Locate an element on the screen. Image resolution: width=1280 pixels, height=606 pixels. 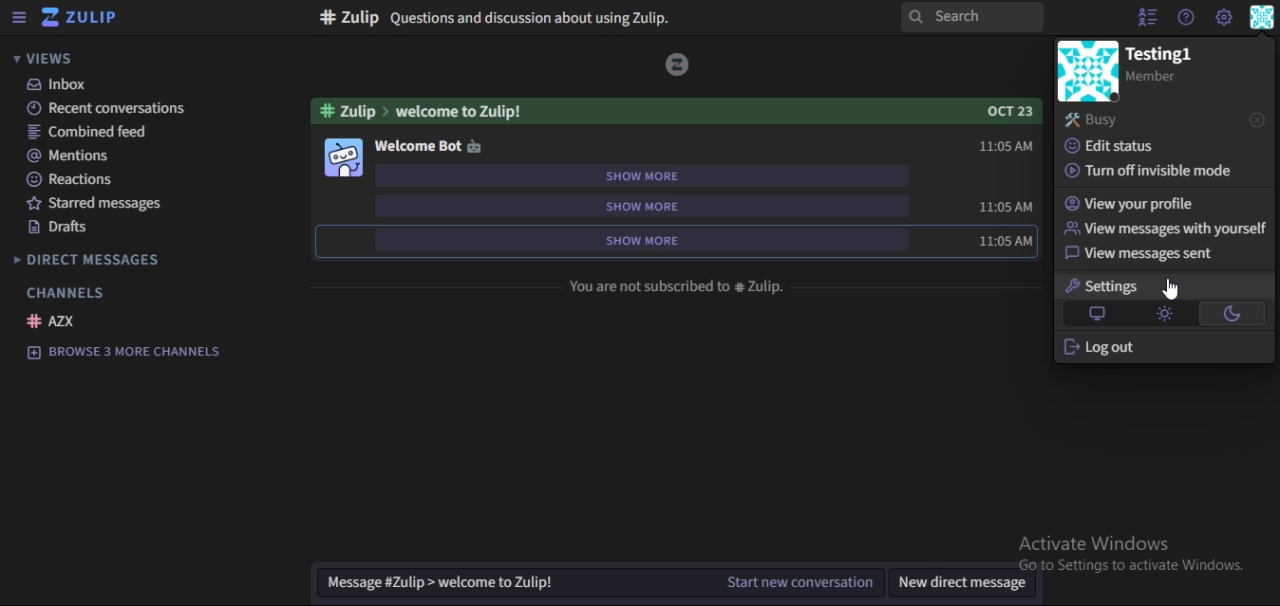
settings is located at coordinates (1101, 286).